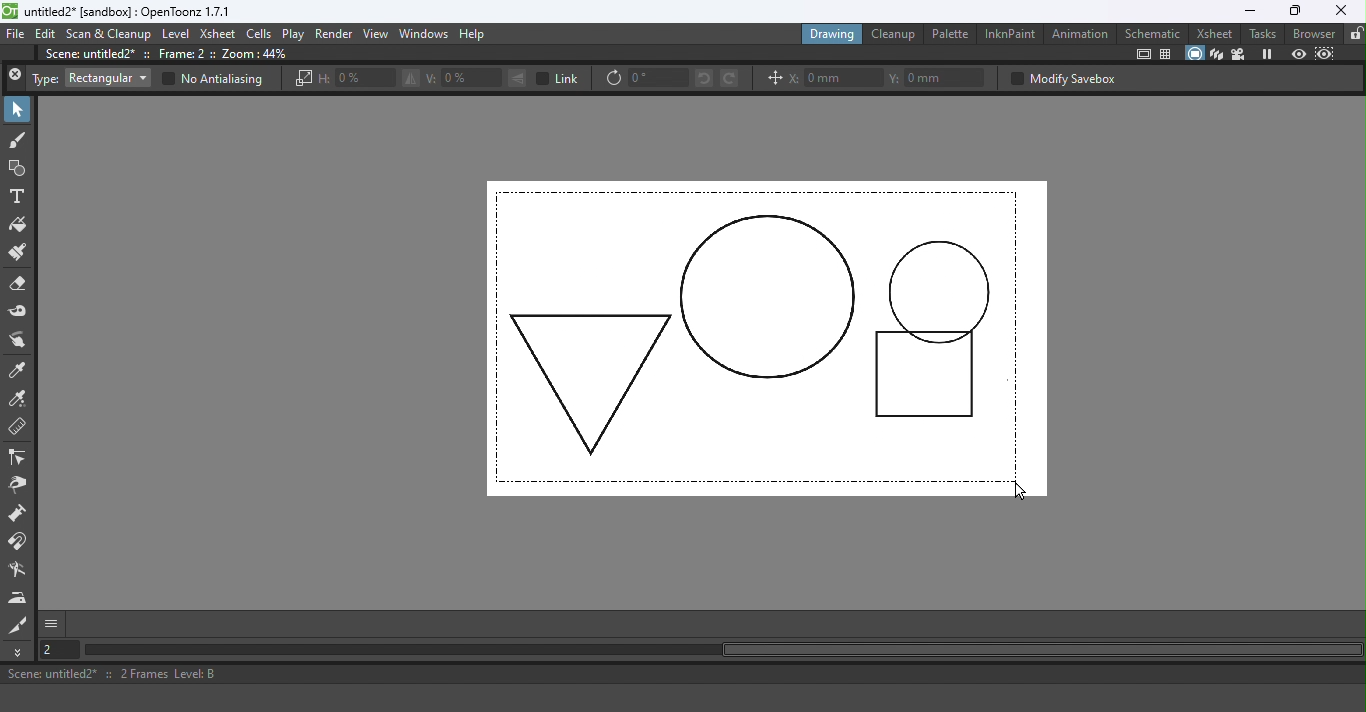 This screenshot has width=1366, height=712. I want to click on View, so click(376, 34).